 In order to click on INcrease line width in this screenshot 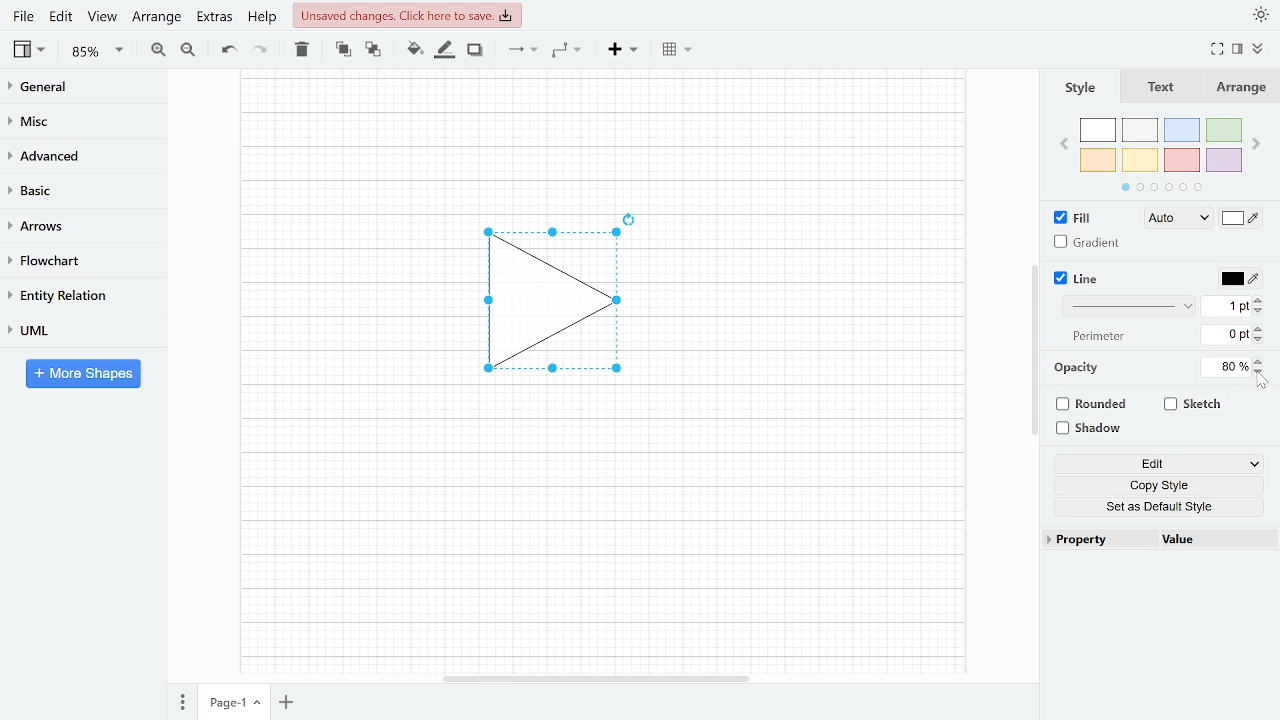, I will do `click(1261, 297)`.